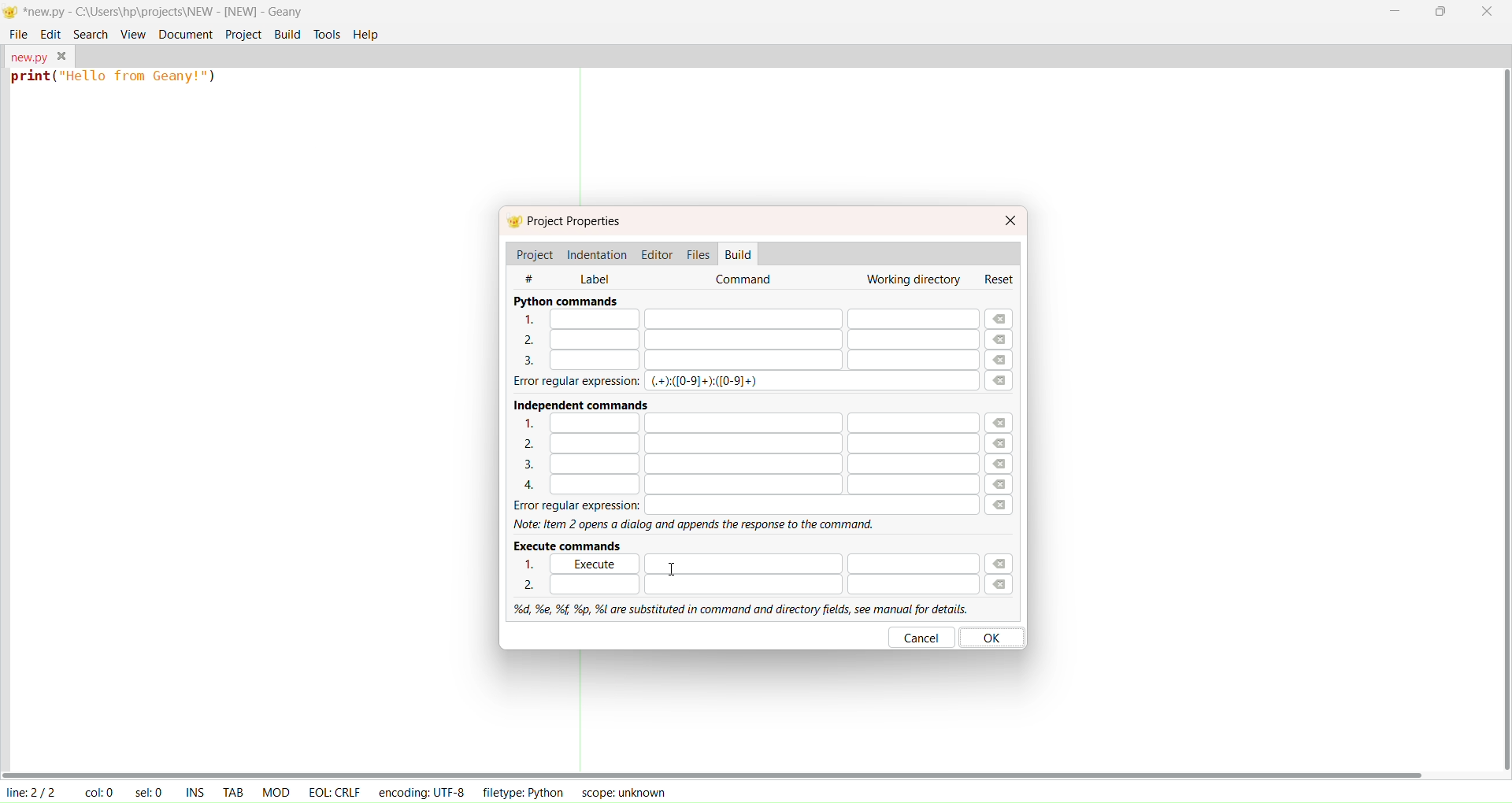 This screenshot has height=803, width=1512. I want to click on 1., so click(533, 564).